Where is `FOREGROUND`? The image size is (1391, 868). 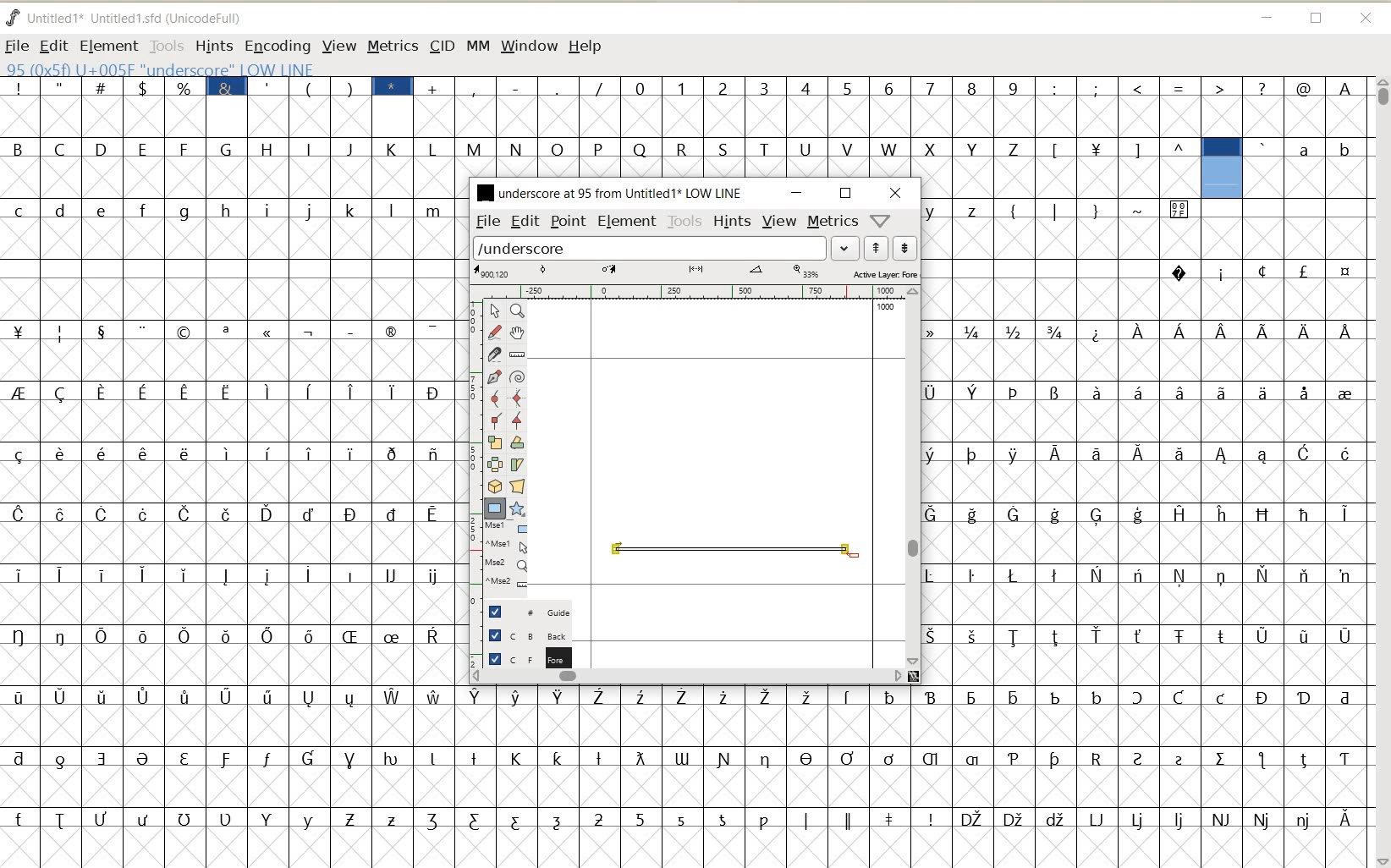
FOREGROUND is located at coordinates (522, 656).